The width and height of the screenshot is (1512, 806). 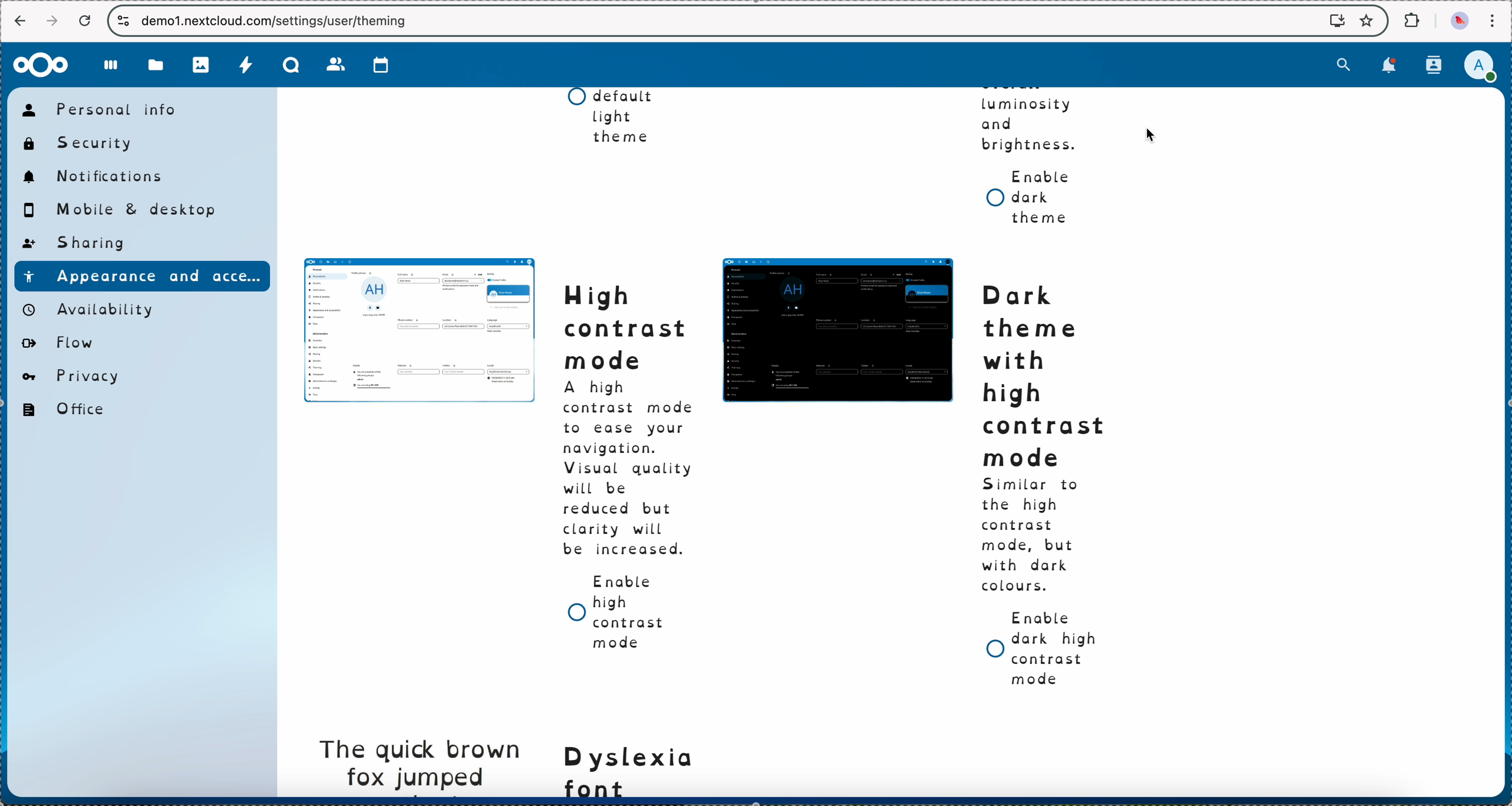 I want to click on cursor, so click(x=1155, y=135).